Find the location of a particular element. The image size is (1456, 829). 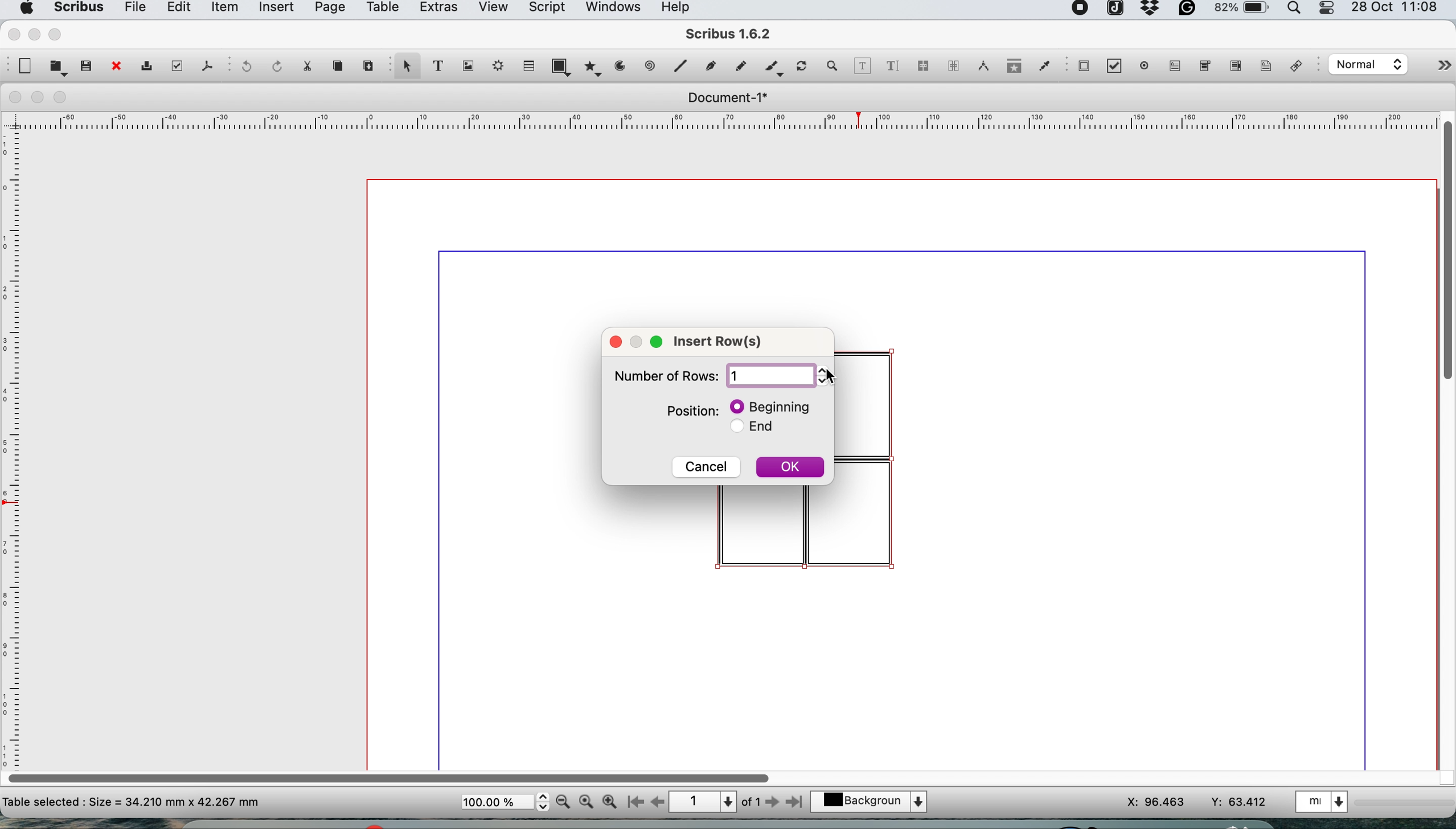

battery is located at coordinates (1240, 11).